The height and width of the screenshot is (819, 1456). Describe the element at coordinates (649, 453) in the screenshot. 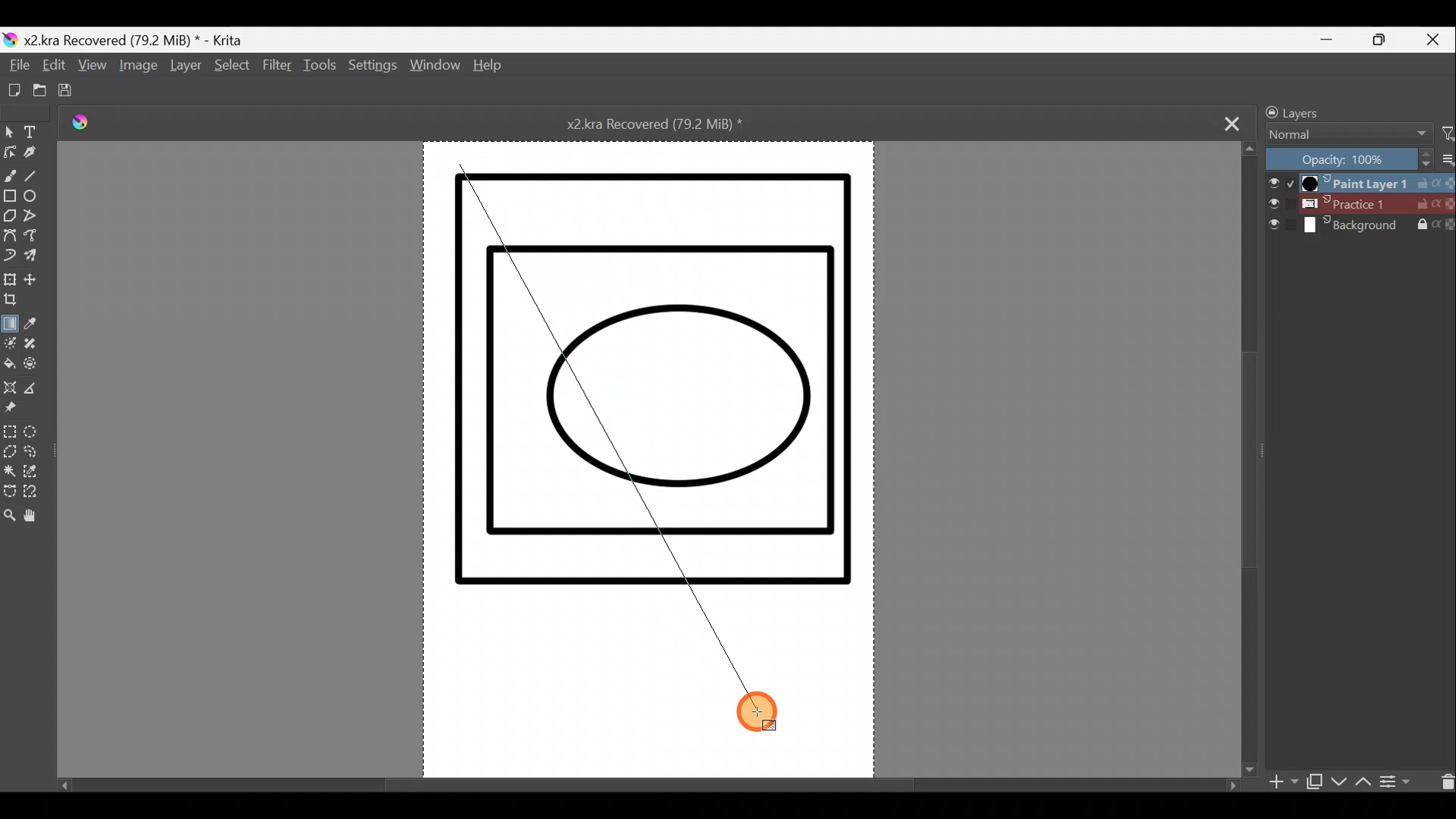

I see `Canvas` at that location.